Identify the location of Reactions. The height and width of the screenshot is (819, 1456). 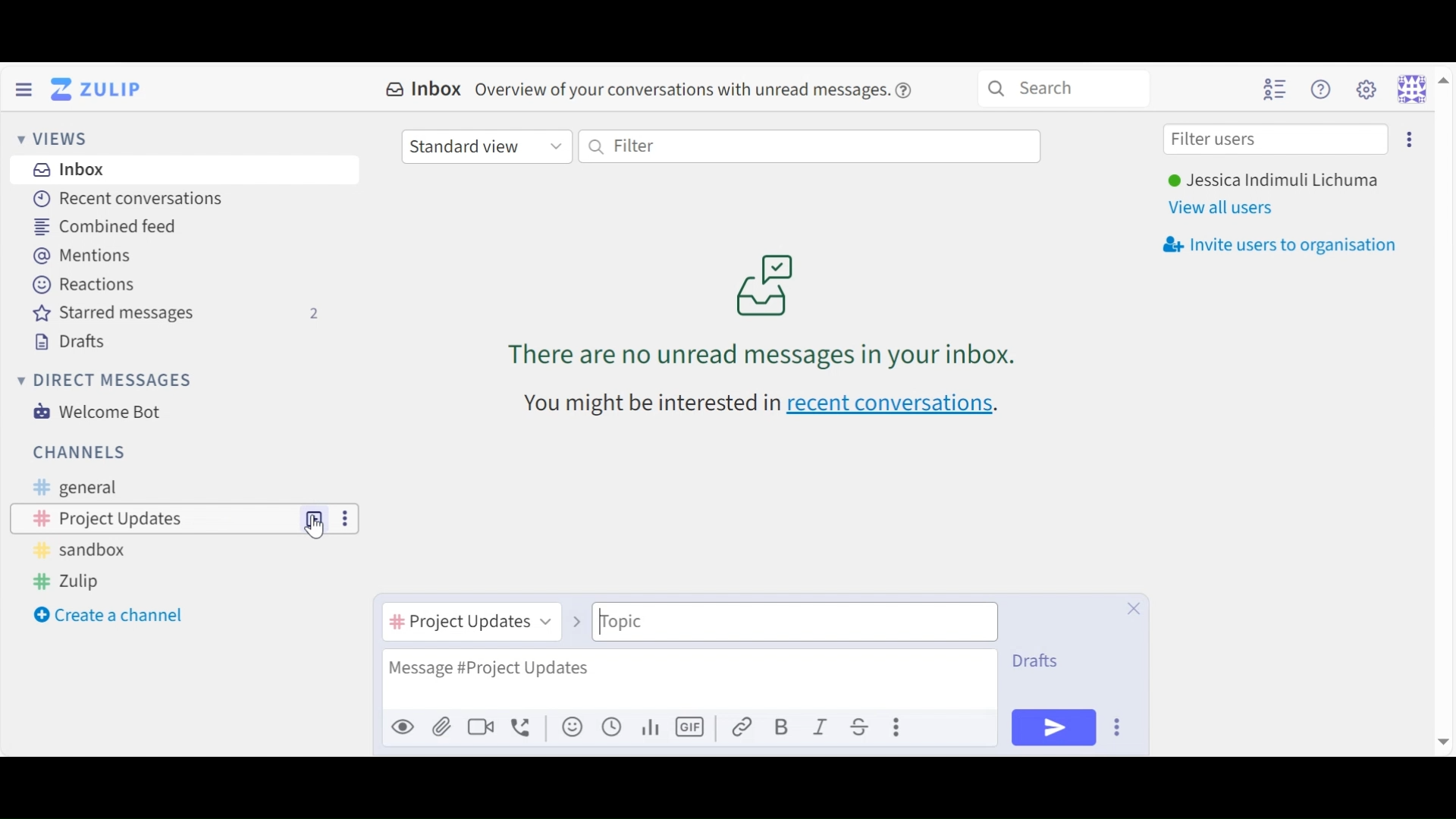
(83, 283).